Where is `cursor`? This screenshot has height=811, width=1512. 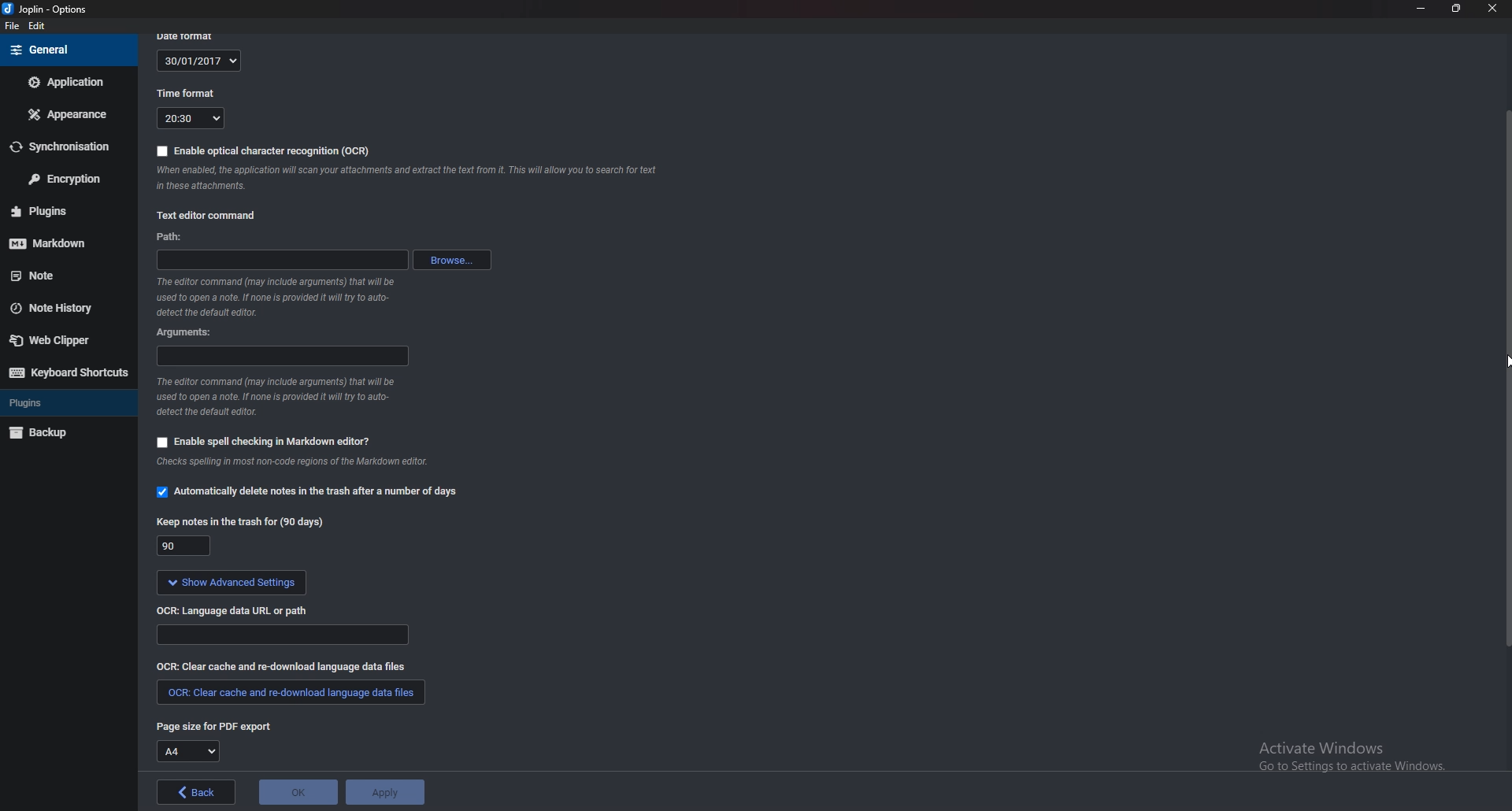
cursor is located at coordinates (1503, 365).